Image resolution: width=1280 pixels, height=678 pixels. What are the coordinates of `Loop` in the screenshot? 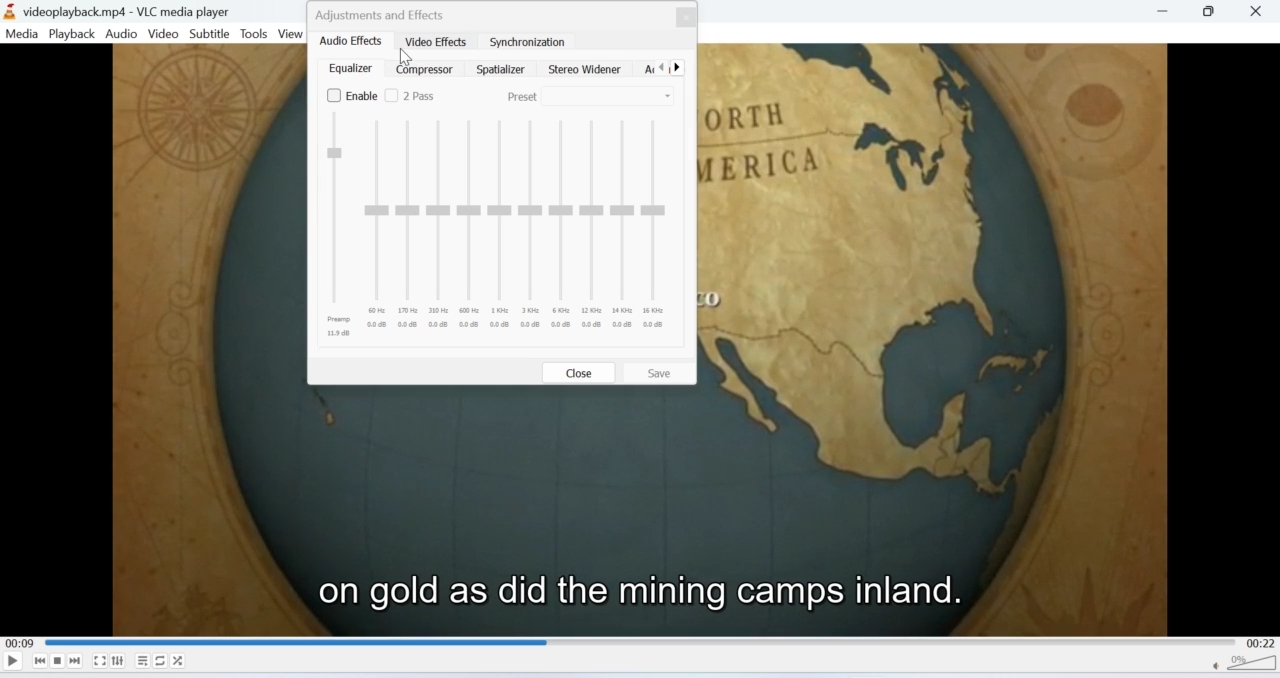 It's located at (160, 660).